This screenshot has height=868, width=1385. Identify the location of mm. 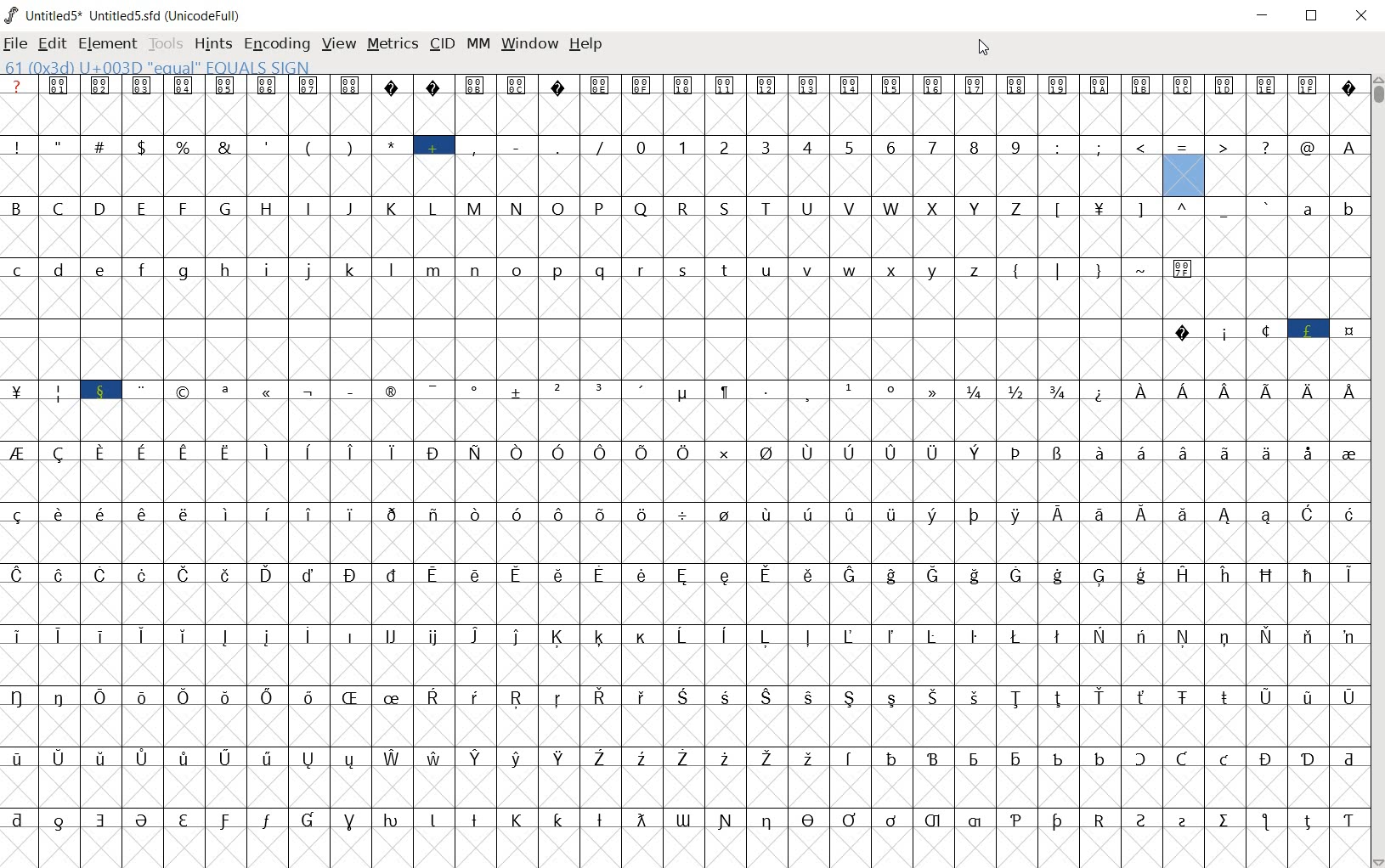
(478, 45).